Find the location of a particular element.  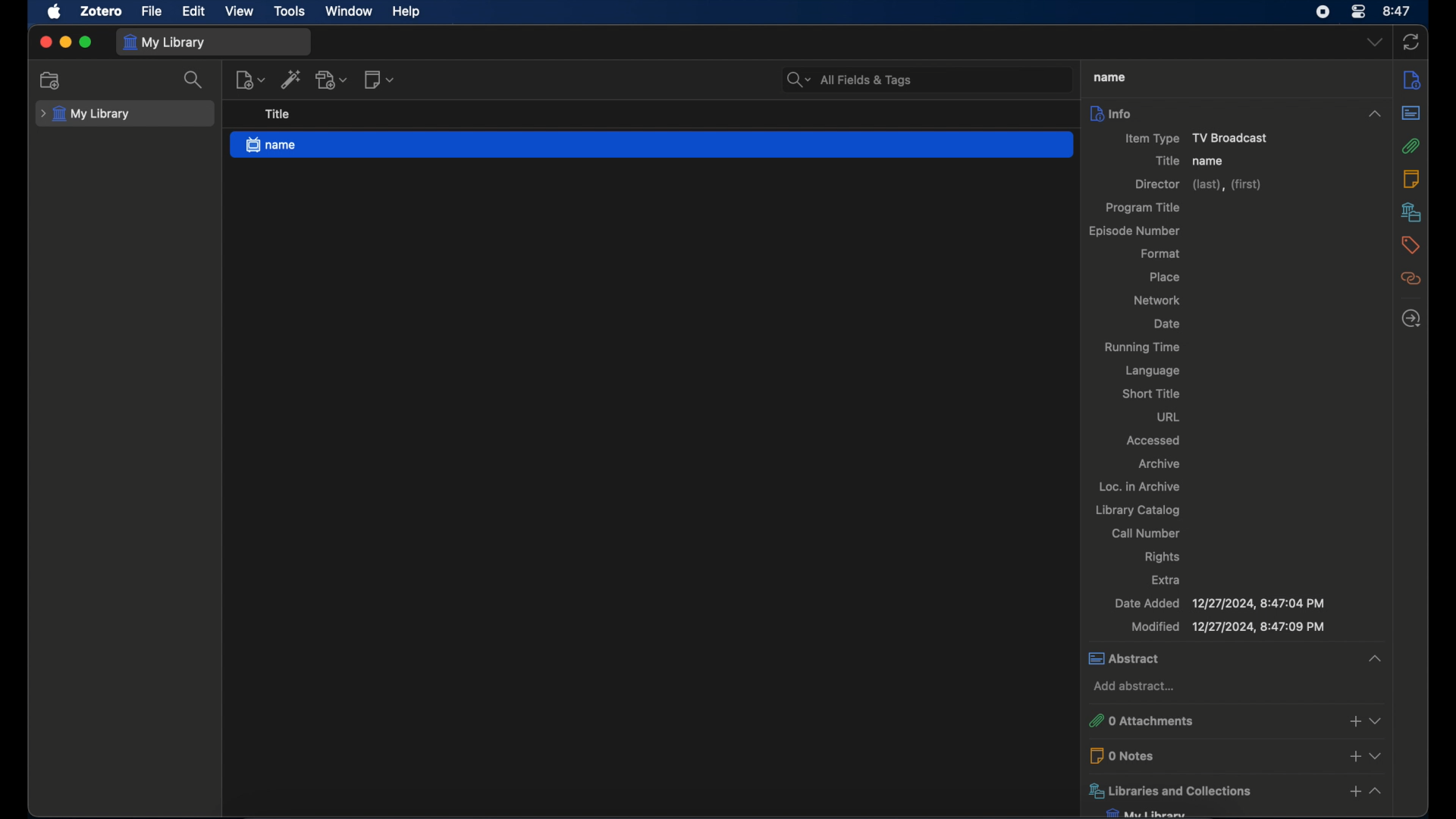

zotero is located at coordinates (102, 11).